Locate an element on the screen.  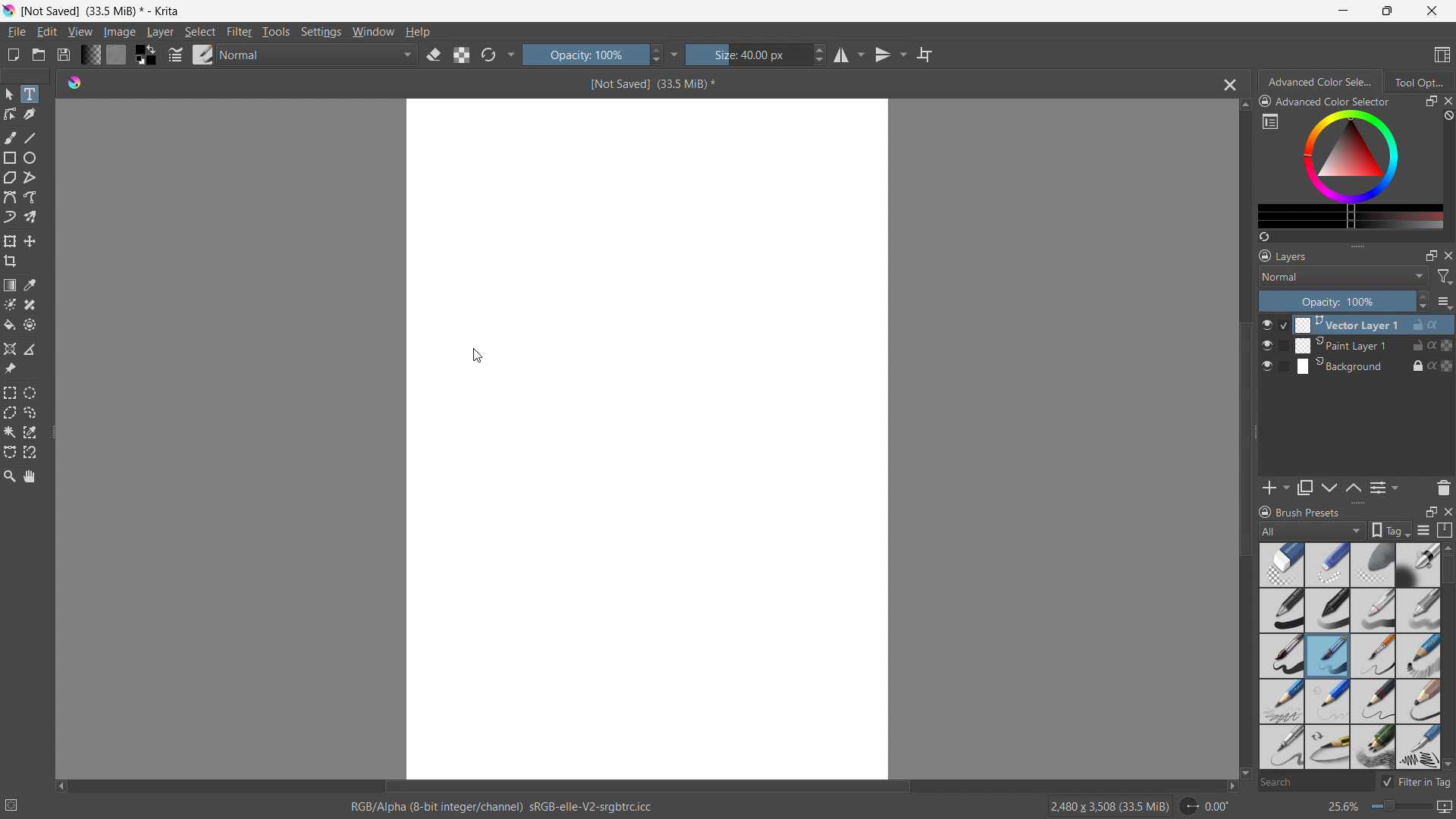
horizontal scrollbar is located at coordinates (646, 784).